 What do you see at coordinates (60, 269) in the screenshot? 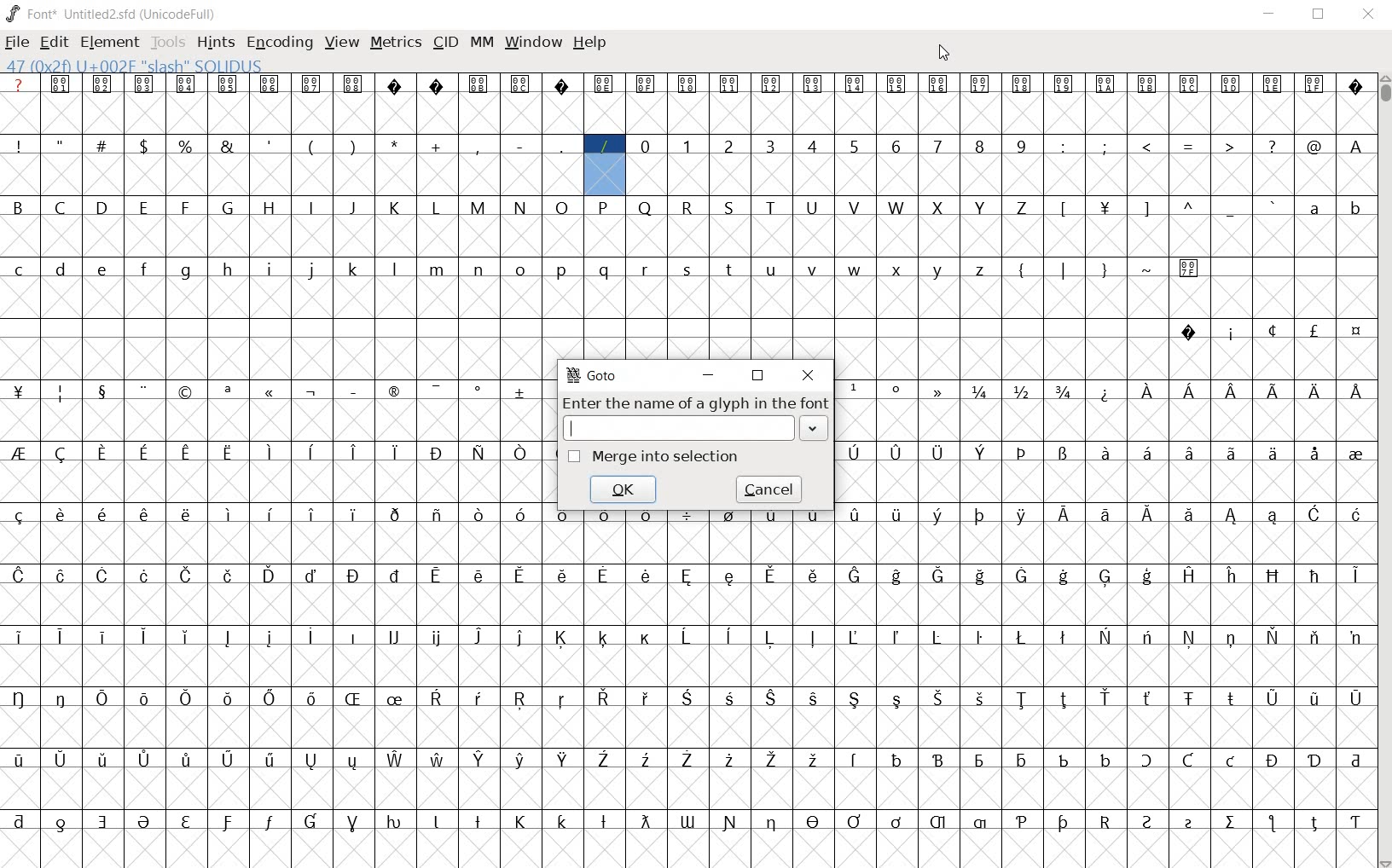
I see `glyph` at bounding box center [60, 269].